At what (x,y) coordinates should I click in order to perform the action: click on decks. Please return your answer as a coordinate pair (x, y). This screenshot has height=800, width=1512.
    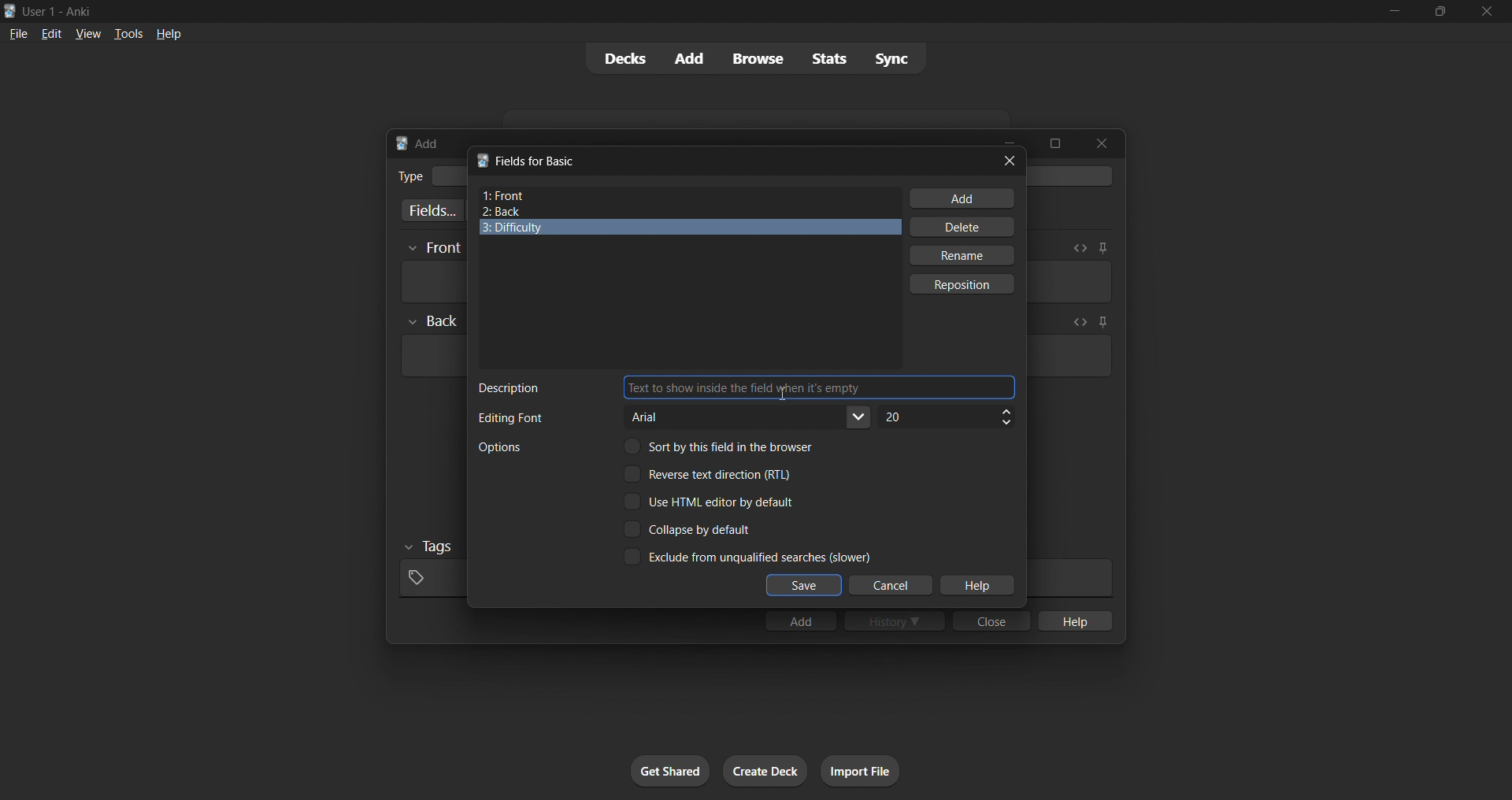
    Looking at the image, I should click on (623, 59).